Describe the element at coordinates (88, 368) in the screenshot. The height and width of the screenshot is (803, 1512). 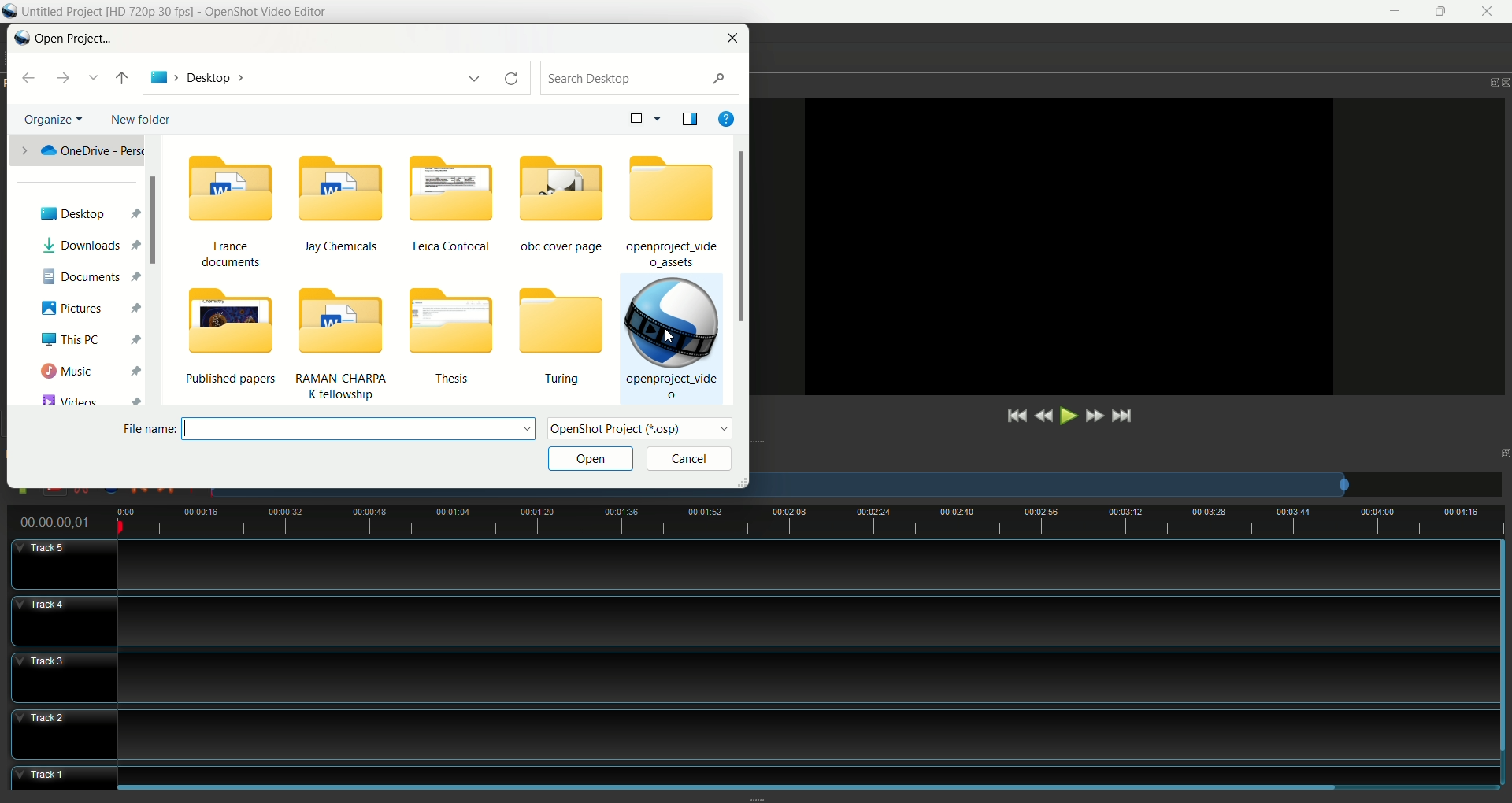
I see `music` at that location.